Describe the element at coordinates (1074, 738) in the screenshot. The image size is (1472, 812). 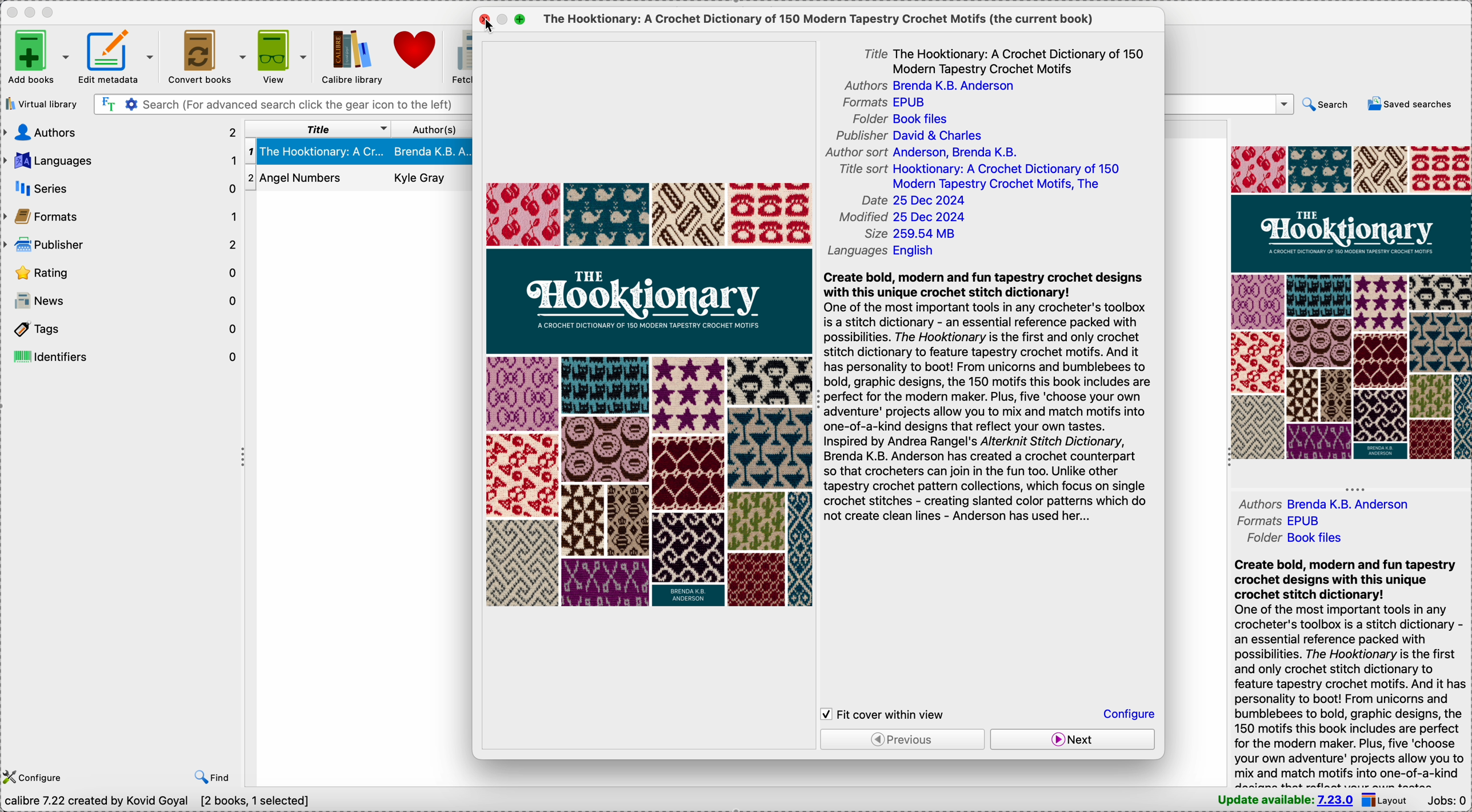
I see `next` at that location.